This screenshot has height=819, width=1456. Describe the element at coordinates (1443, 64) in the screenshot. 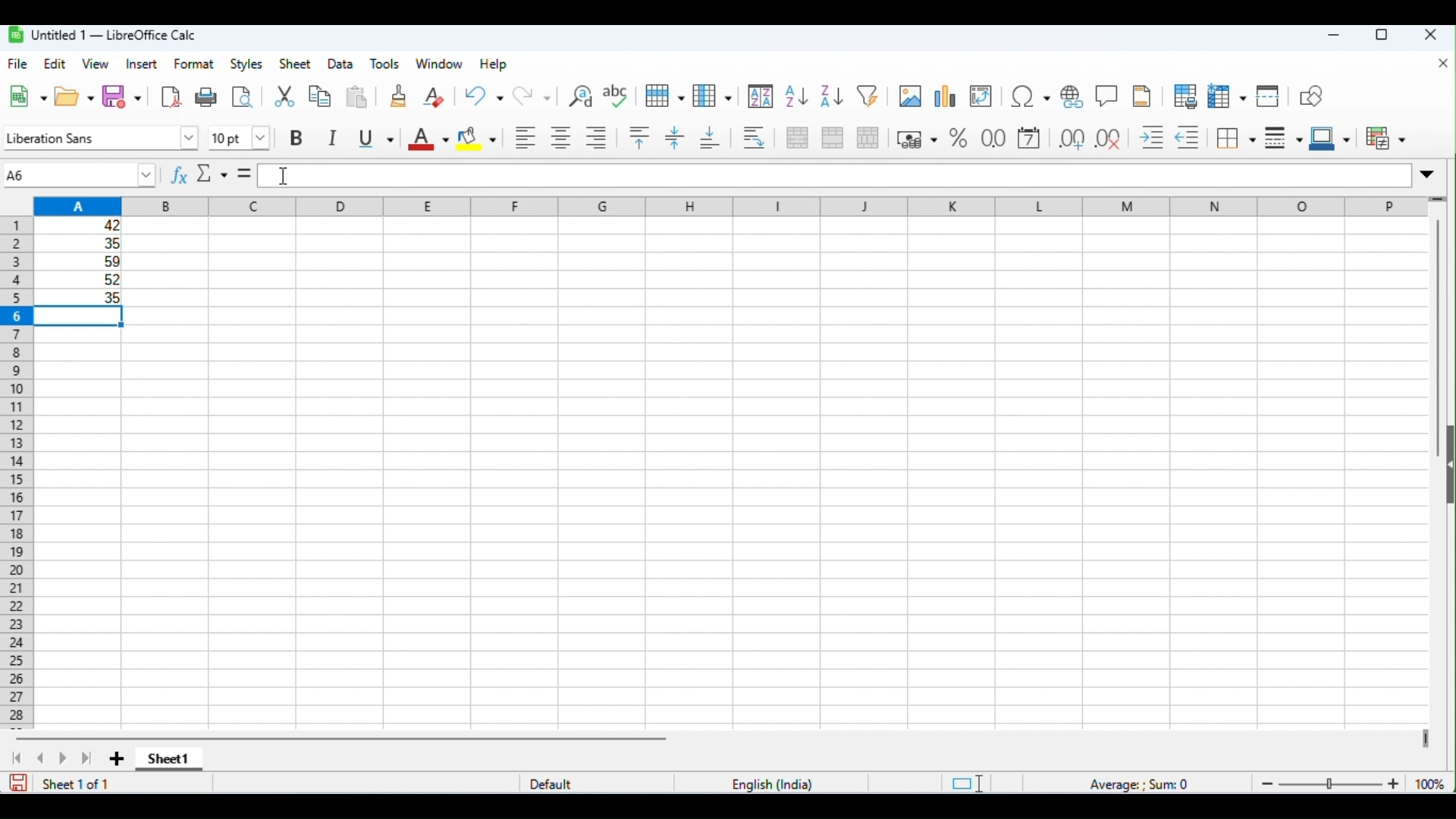

I see `close` at that location.